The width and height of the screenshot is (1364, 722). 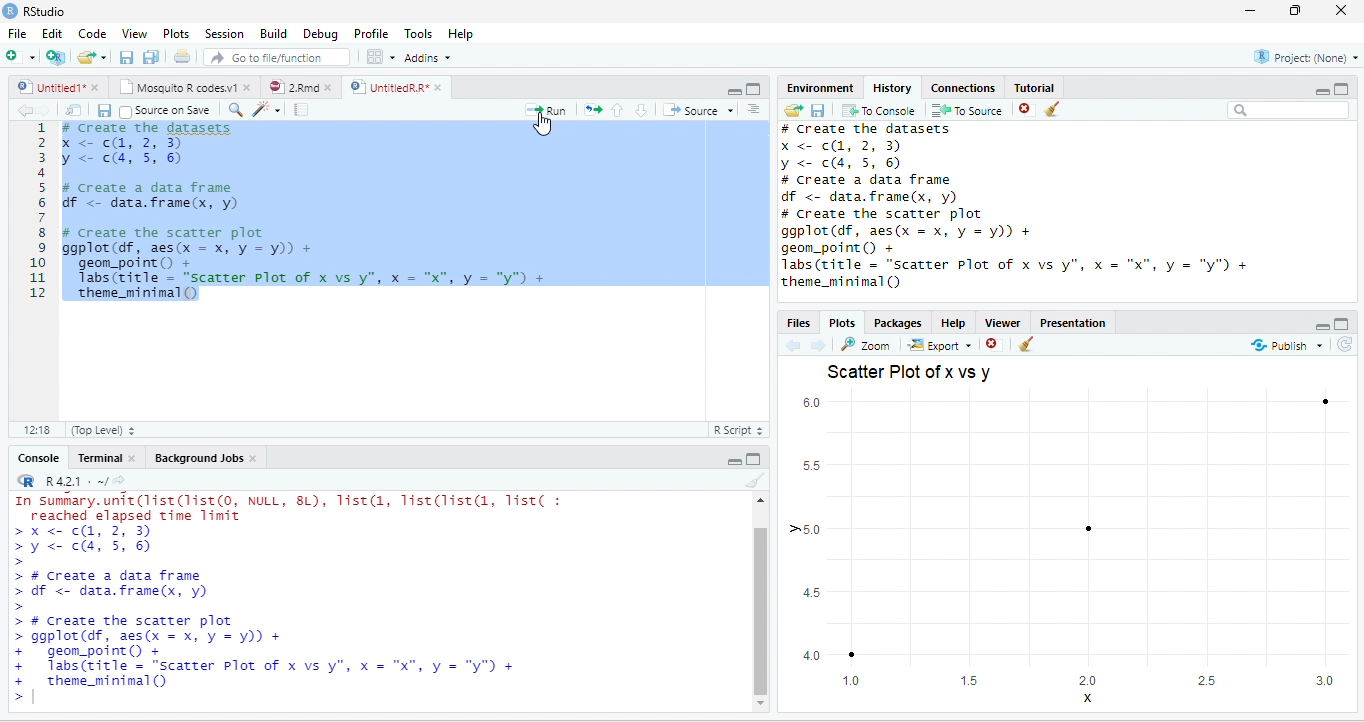 What do you see at coordinates (641, 110) in the screenshot?
I see `Go to next section/chunk` at bounding box center [641, 110].